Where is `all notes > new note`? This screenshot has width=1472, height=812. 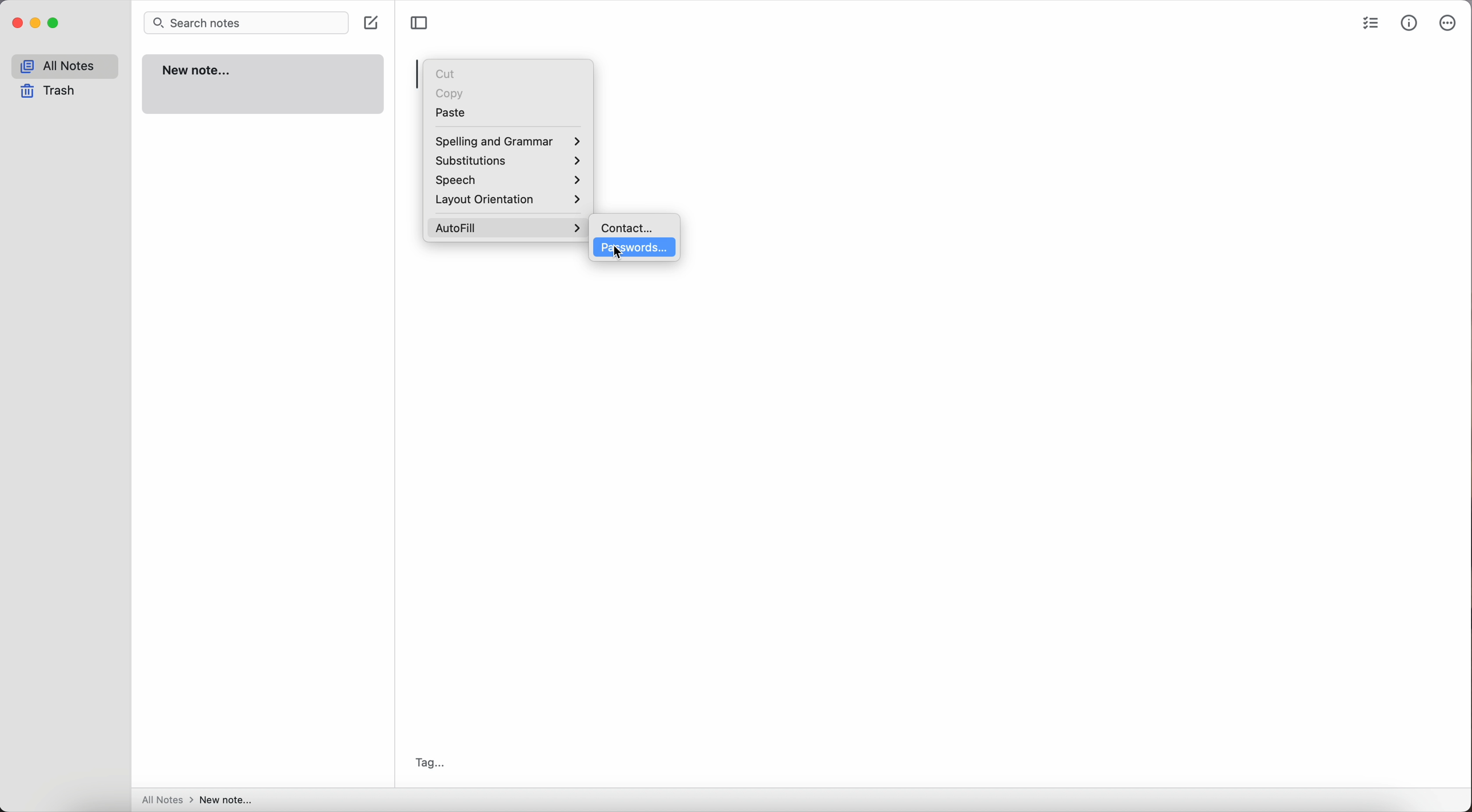
all notes > new note is located at coordinates (197, 801).